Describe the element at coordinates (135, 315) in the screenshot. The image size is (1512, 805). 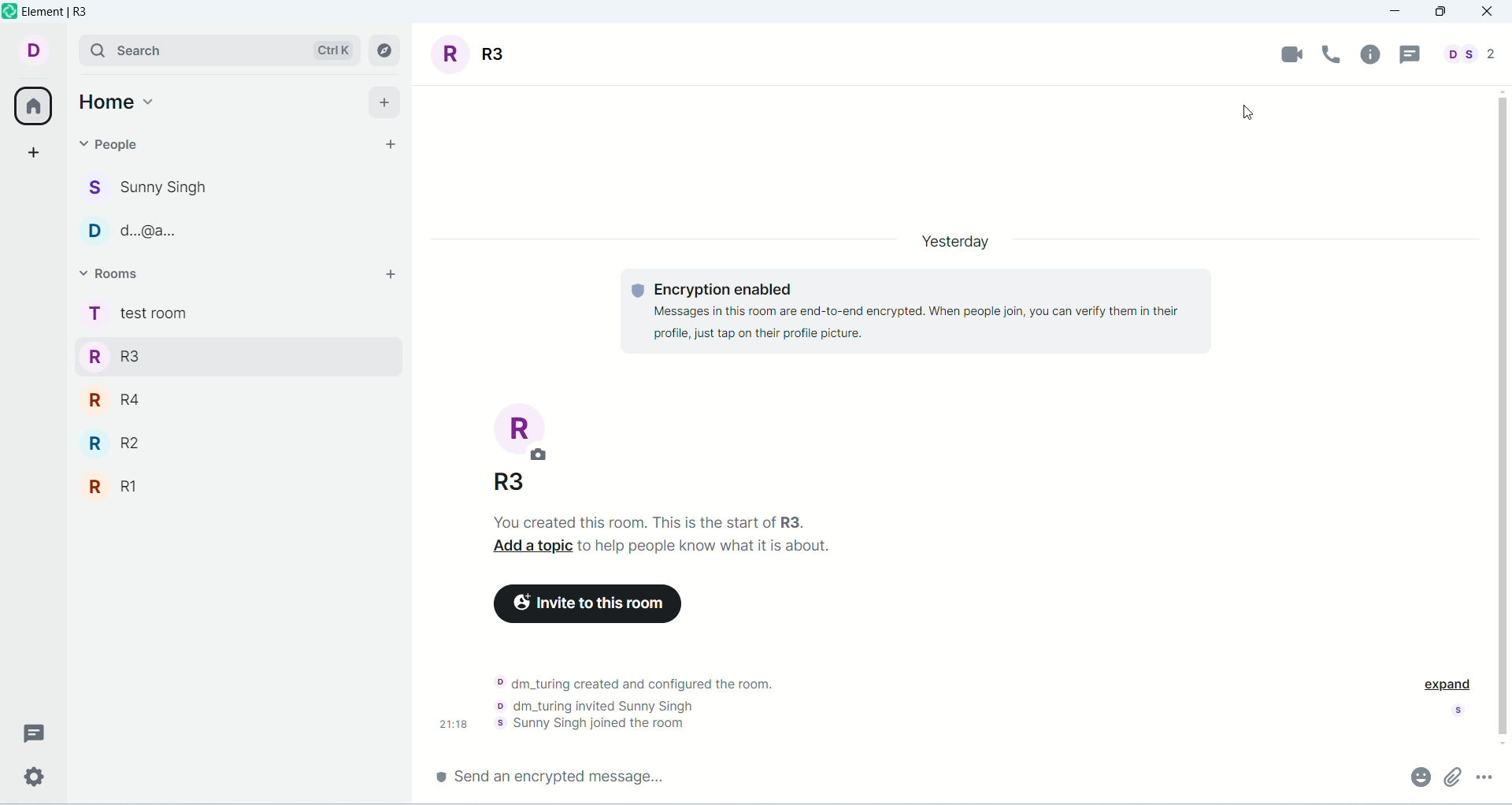
I see `rooms` at that location.